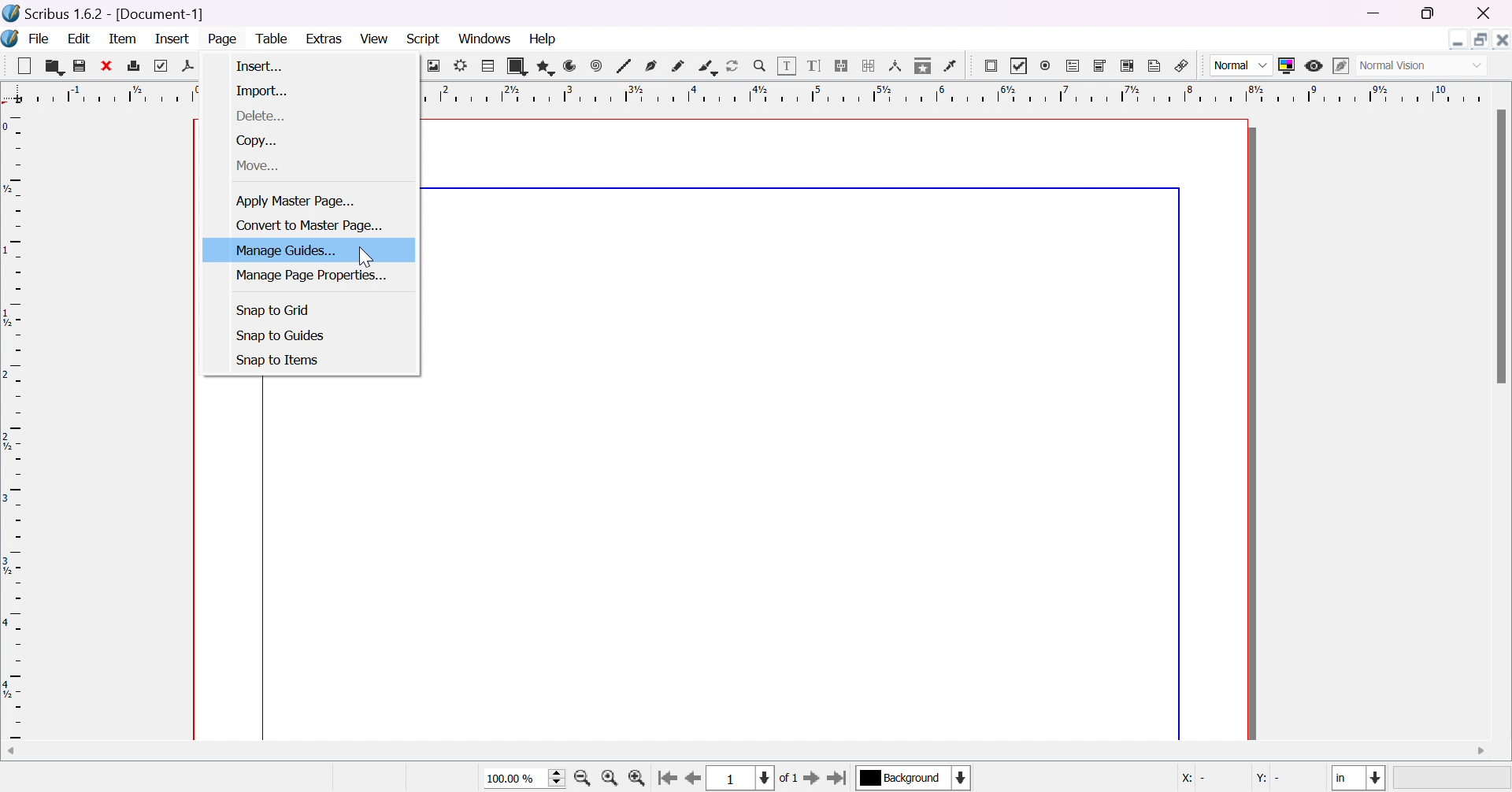 Image resolution: width=1512 pixels, height=792 pixels. I want to click on edit in preview mode, so click(1341, 65).